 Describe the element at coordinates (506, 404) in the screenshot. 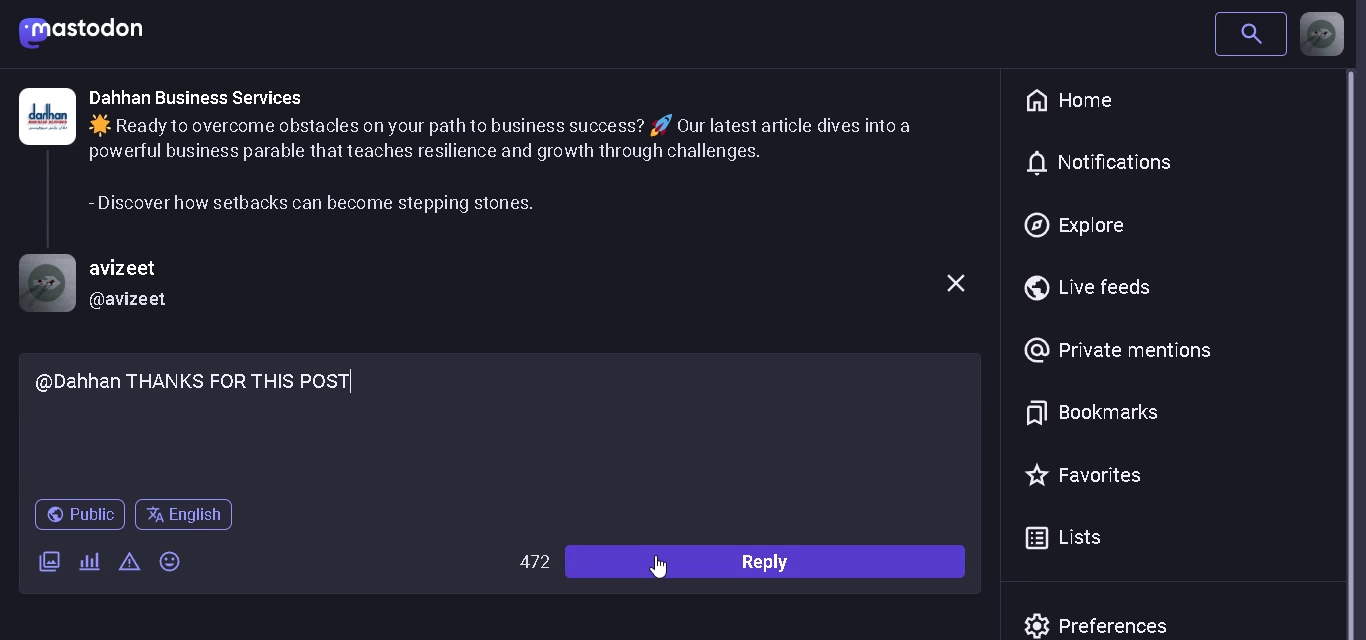

I see `typed comment` at that location.